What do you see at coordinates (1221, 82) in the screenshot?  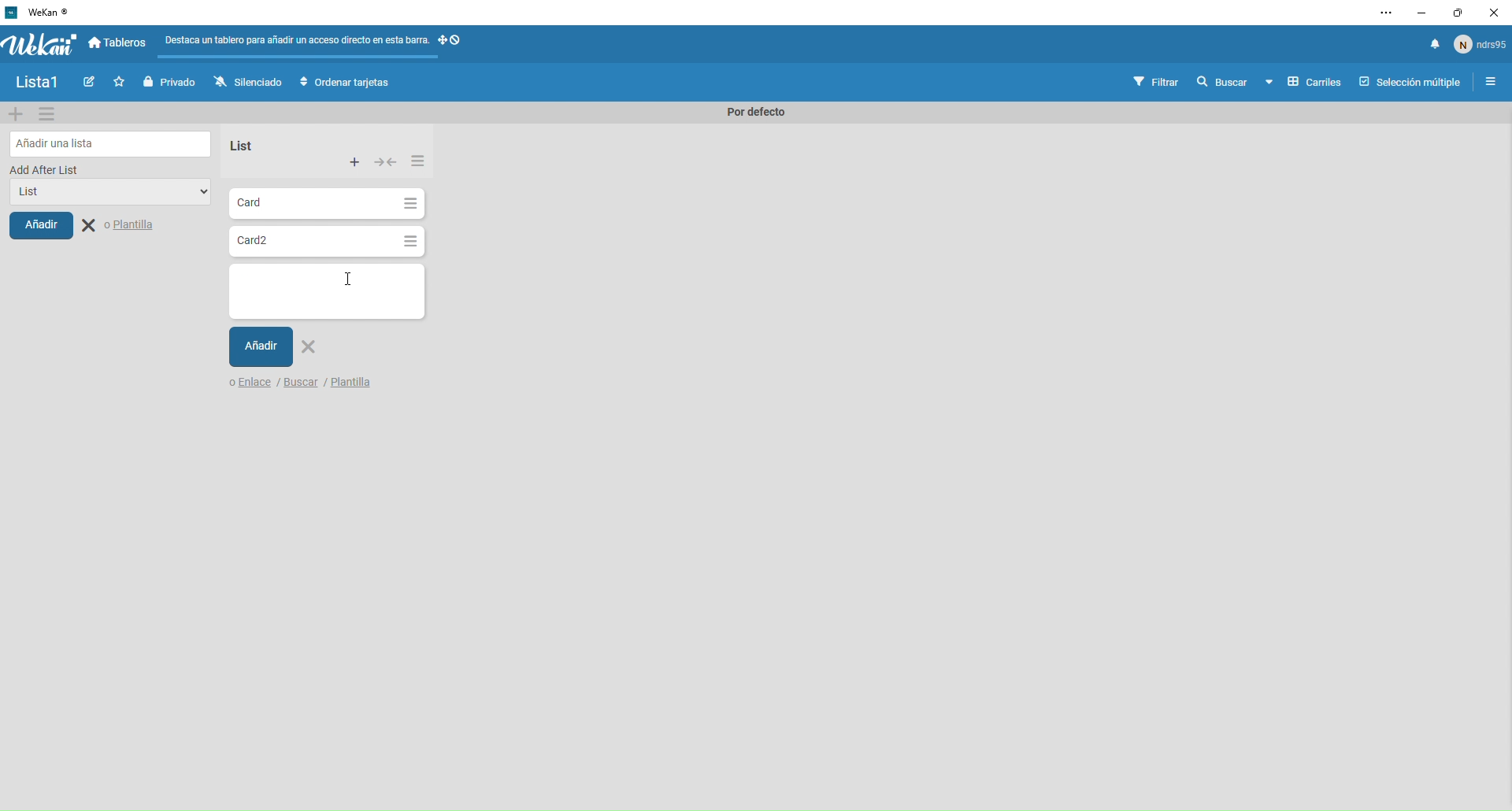 I see `Find` at bounding box center [1221, 82].